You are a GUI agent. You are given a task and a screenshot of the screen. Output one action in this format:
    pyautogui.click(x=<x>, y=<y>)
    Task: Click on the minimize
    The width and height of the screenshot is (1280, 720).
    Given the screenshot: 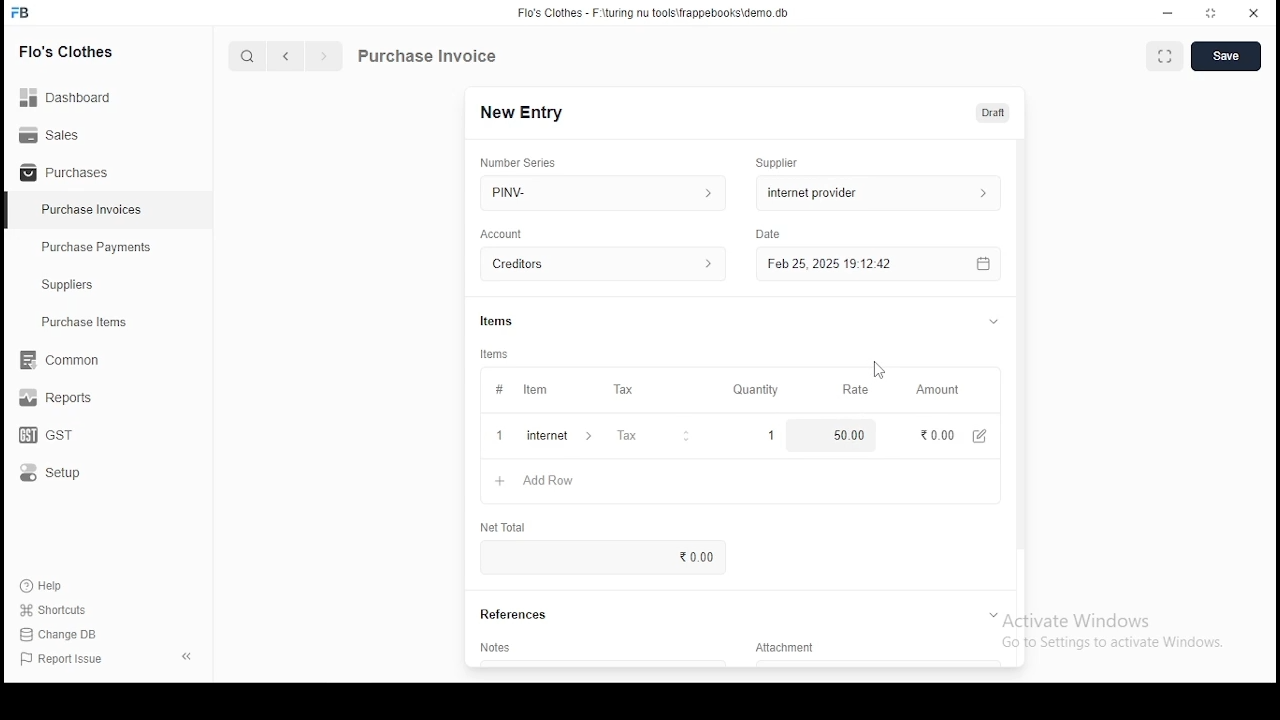 What is the action you would take?
    pyautogui.click(x=1170, y=12)
    